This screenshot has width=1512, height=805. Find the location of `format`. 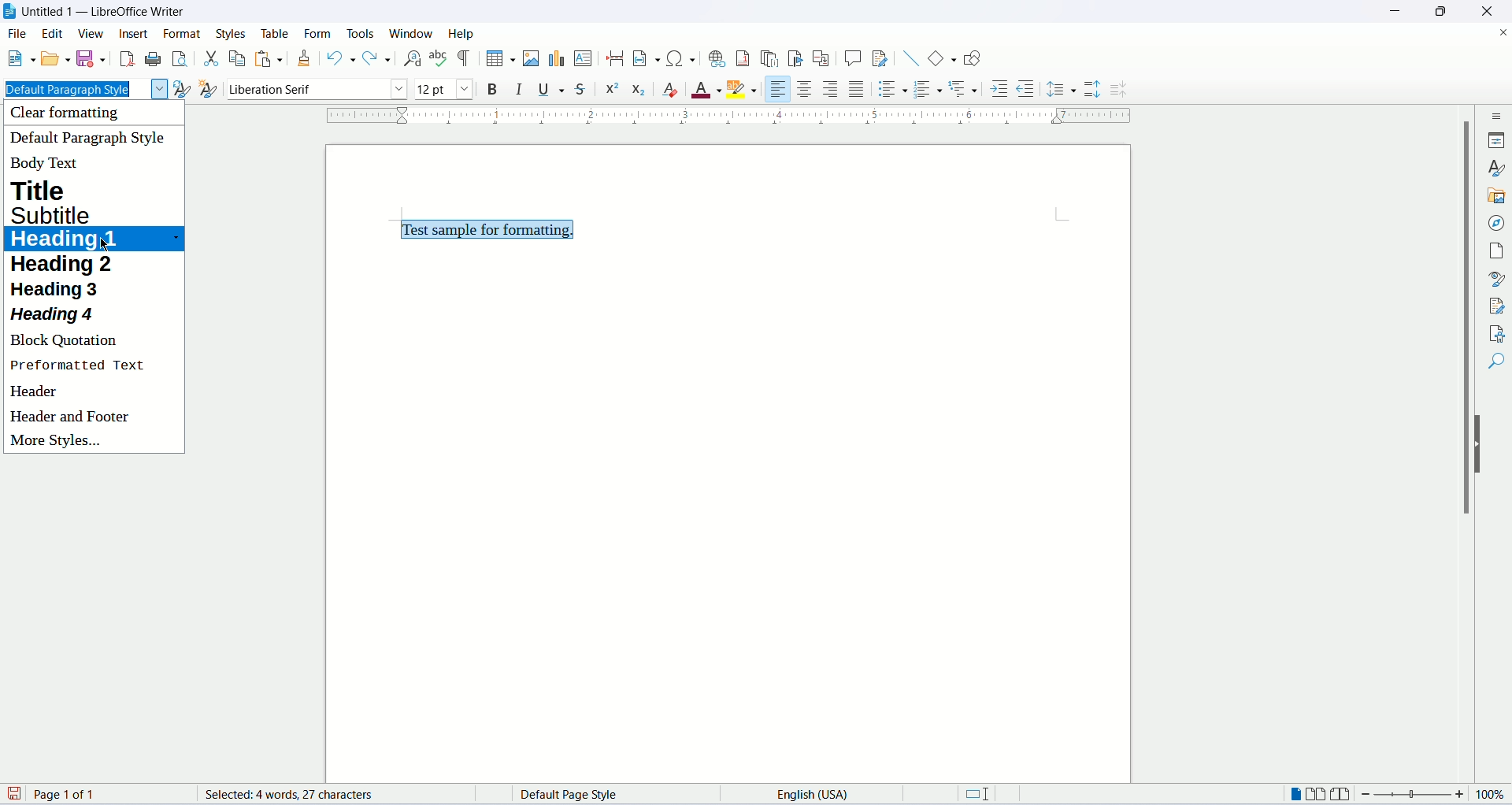

format is located at coordinates (185, 33).